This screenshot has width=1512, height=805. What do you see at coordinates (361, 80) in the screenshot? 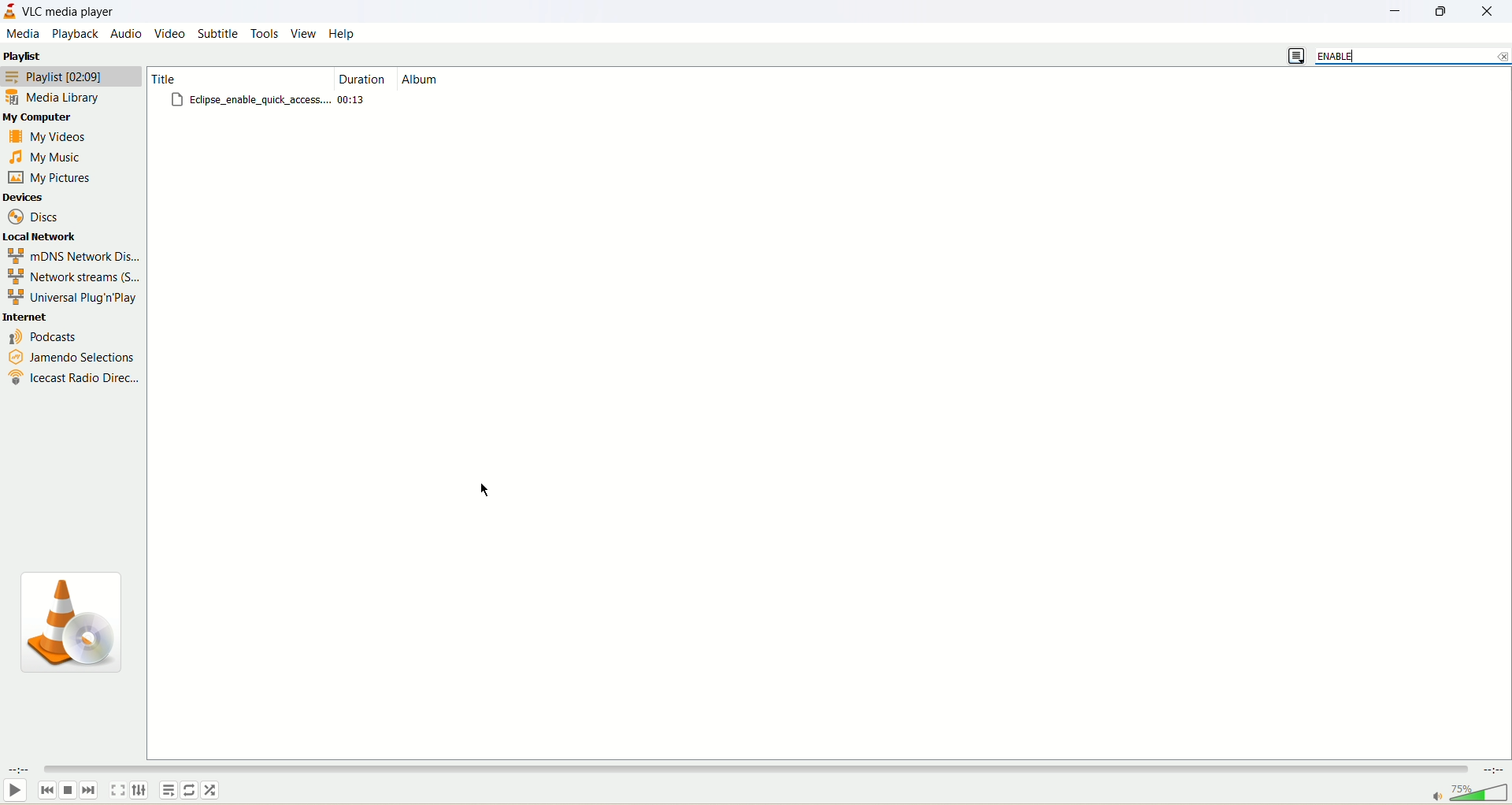
I see `duration` at bounding box center [361, 80].